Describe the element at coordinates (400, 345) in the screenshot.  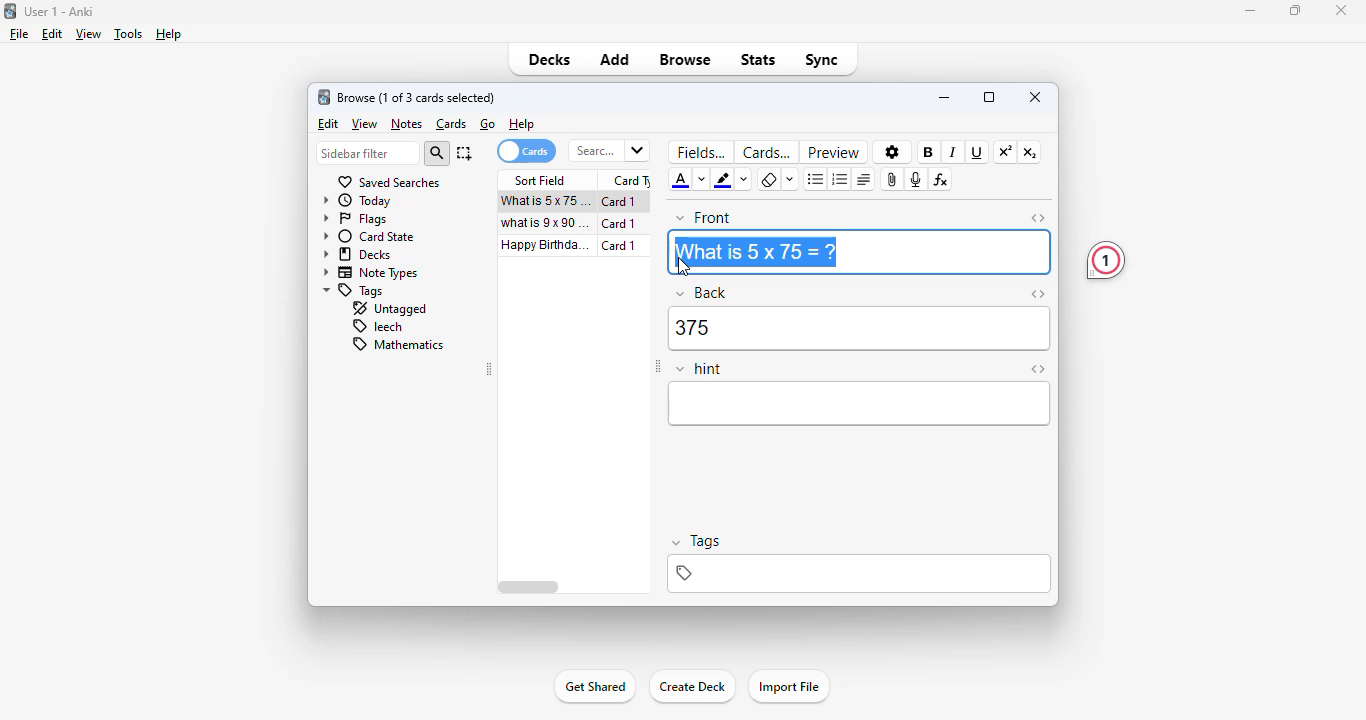
I see `mathematics` at that location.